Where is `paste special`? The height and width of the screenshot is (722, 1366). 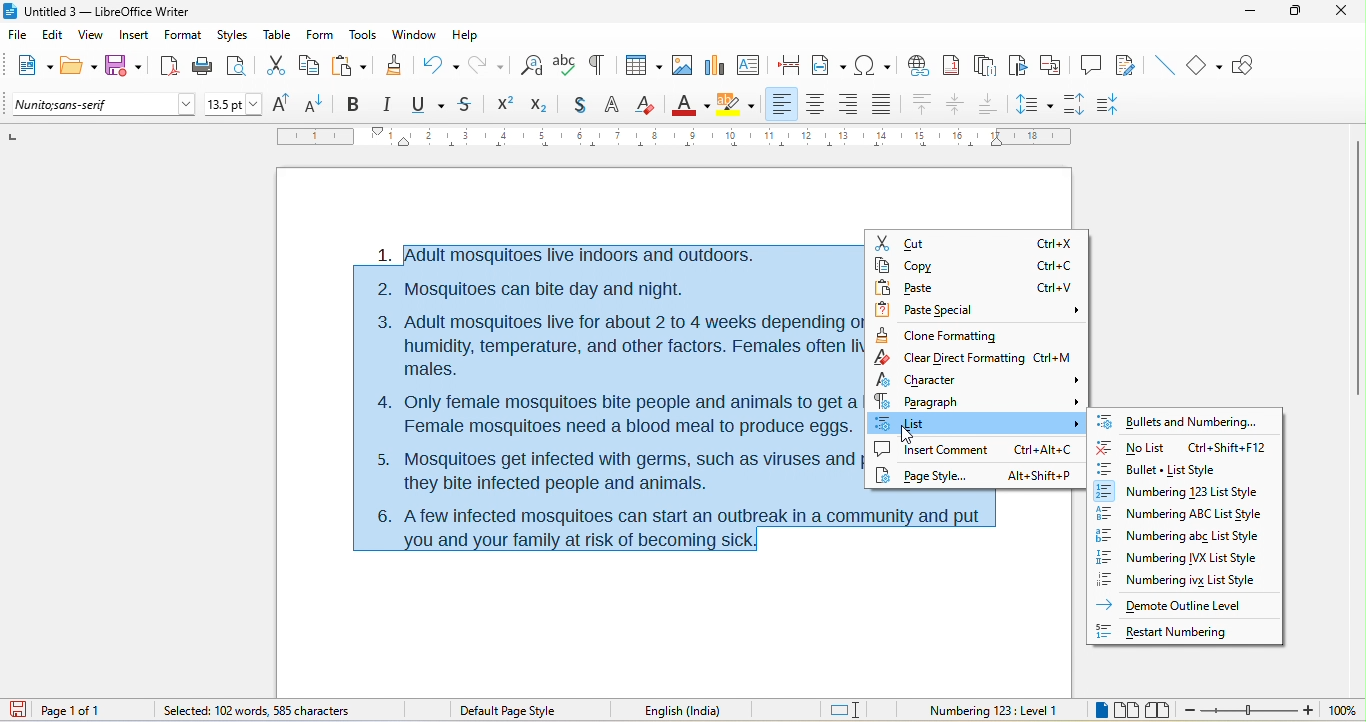 paste special is located at coordinates (979, 308).